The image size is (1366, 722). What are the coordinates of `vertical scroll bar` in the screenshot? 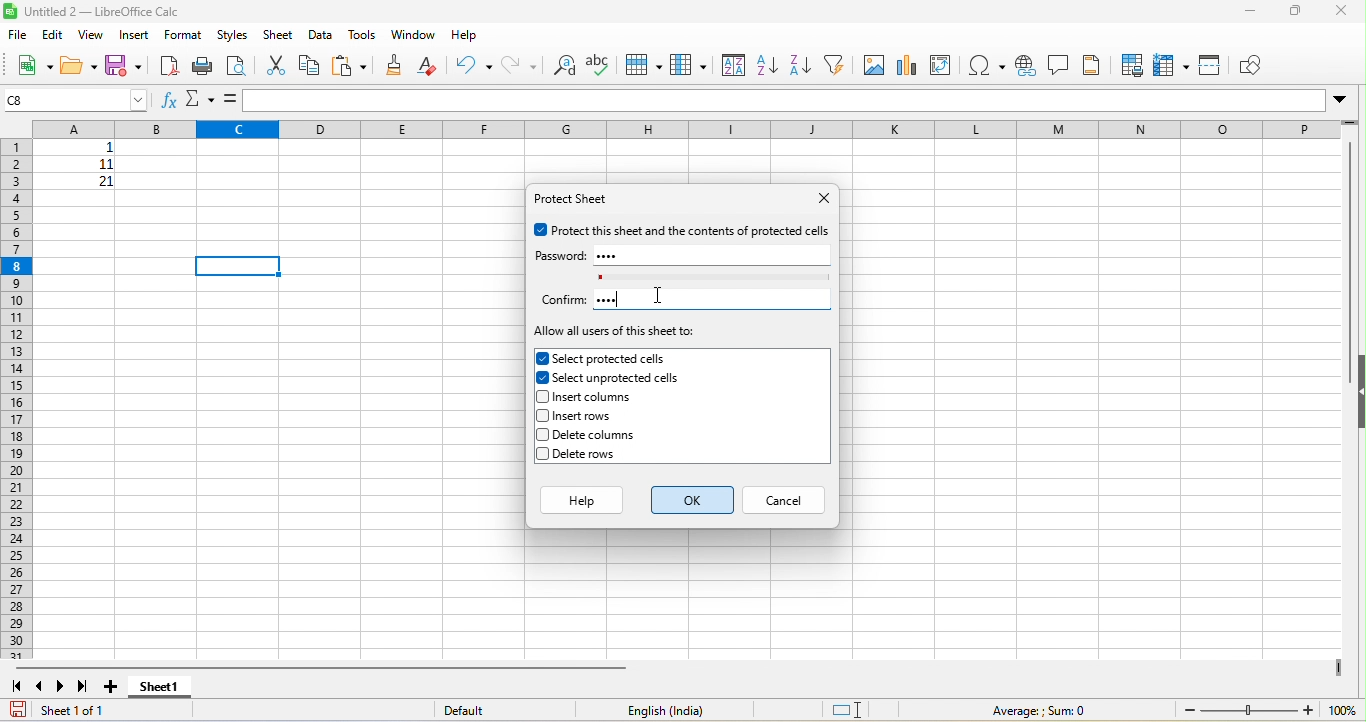 It's located at (1352, 247).